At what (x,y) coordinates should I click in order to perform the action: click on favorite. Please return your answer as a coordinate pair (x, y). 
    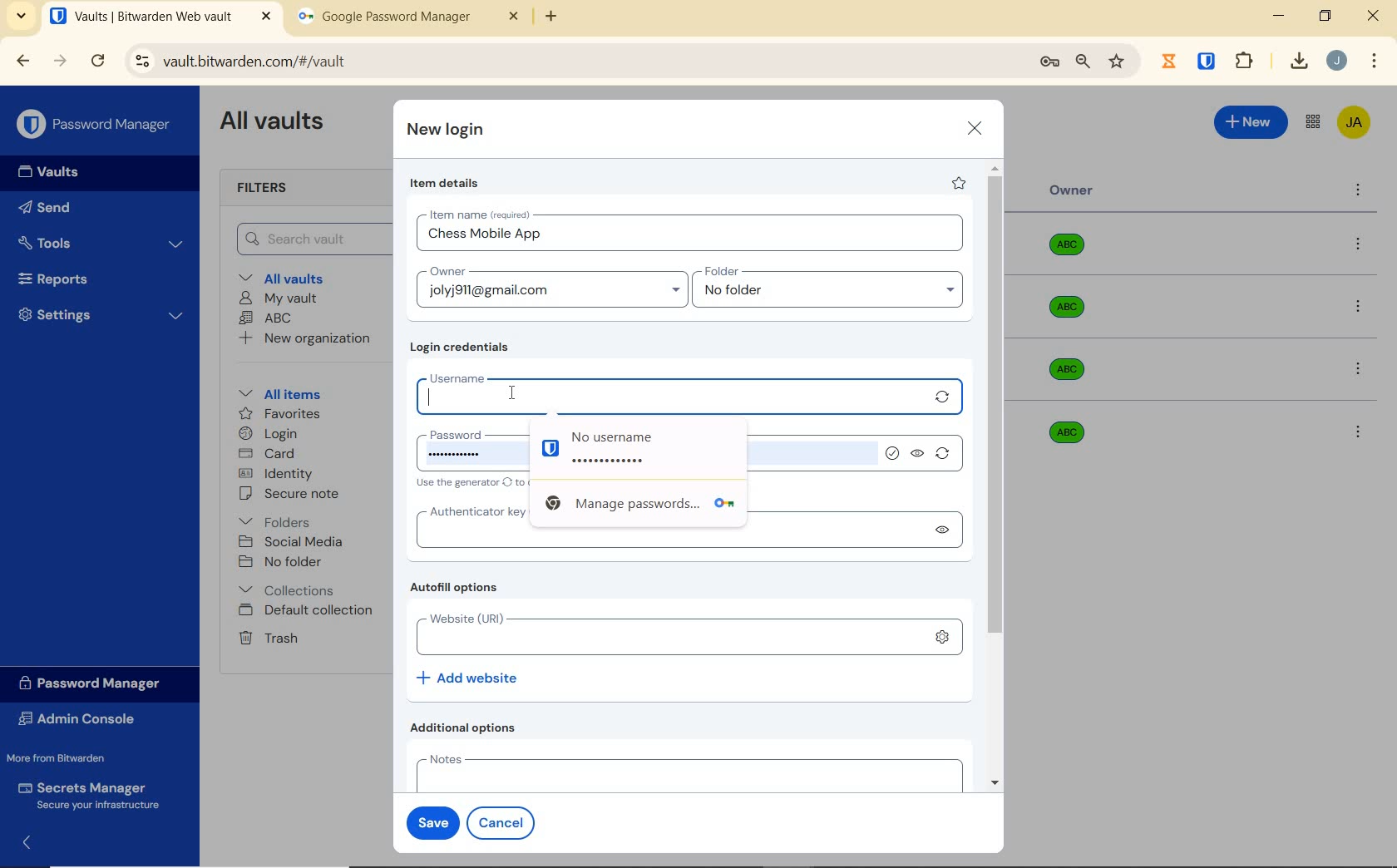
    Looking at the image, I should click on (957, 183).